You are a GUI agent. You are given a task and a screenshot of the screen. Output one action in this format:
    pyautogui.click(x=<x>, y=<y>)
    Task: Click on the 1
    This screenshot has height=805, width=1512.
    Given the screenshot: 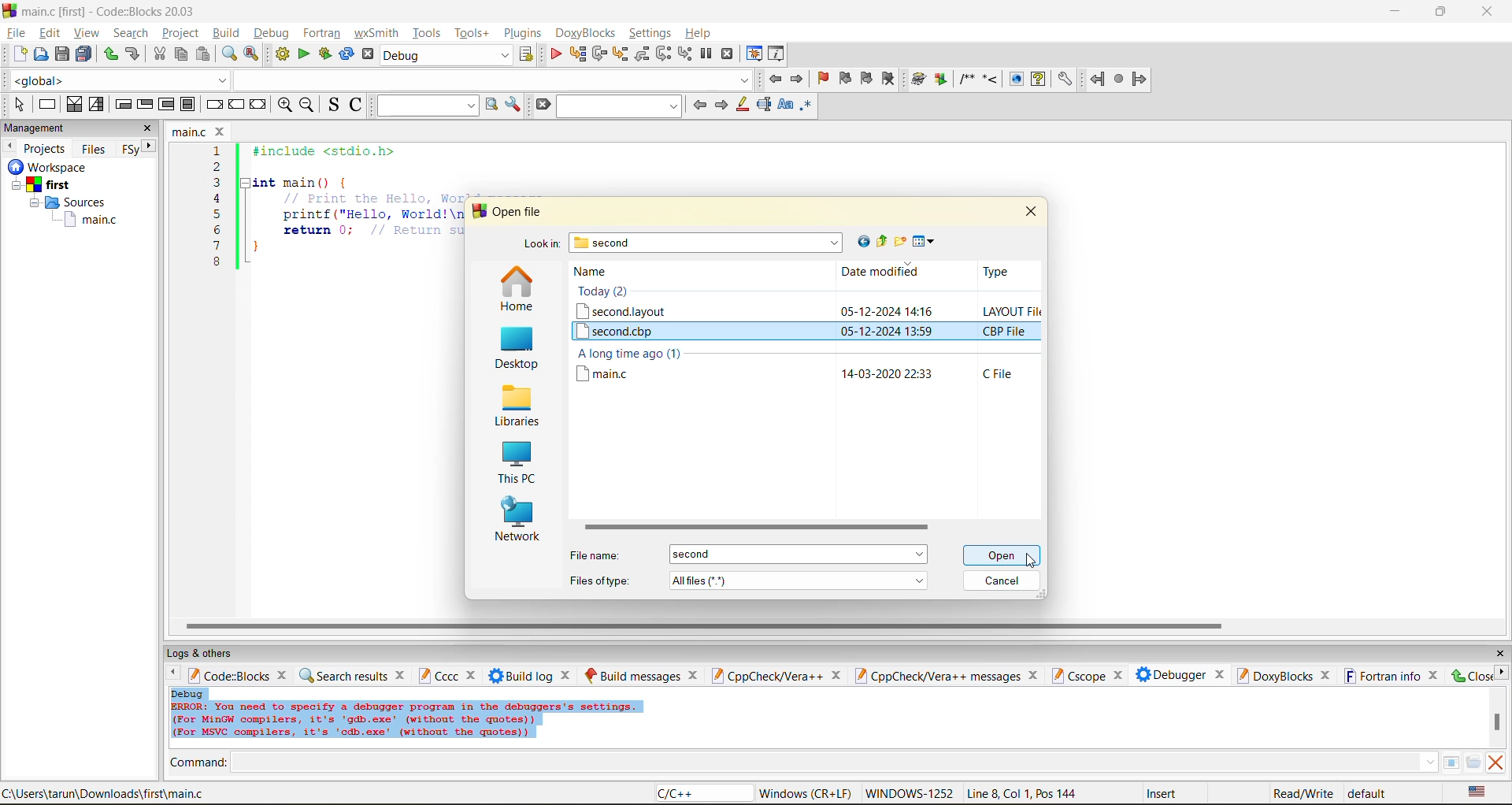 What is the action you would take?
    pyautogui.click(x=219, y=151)
    